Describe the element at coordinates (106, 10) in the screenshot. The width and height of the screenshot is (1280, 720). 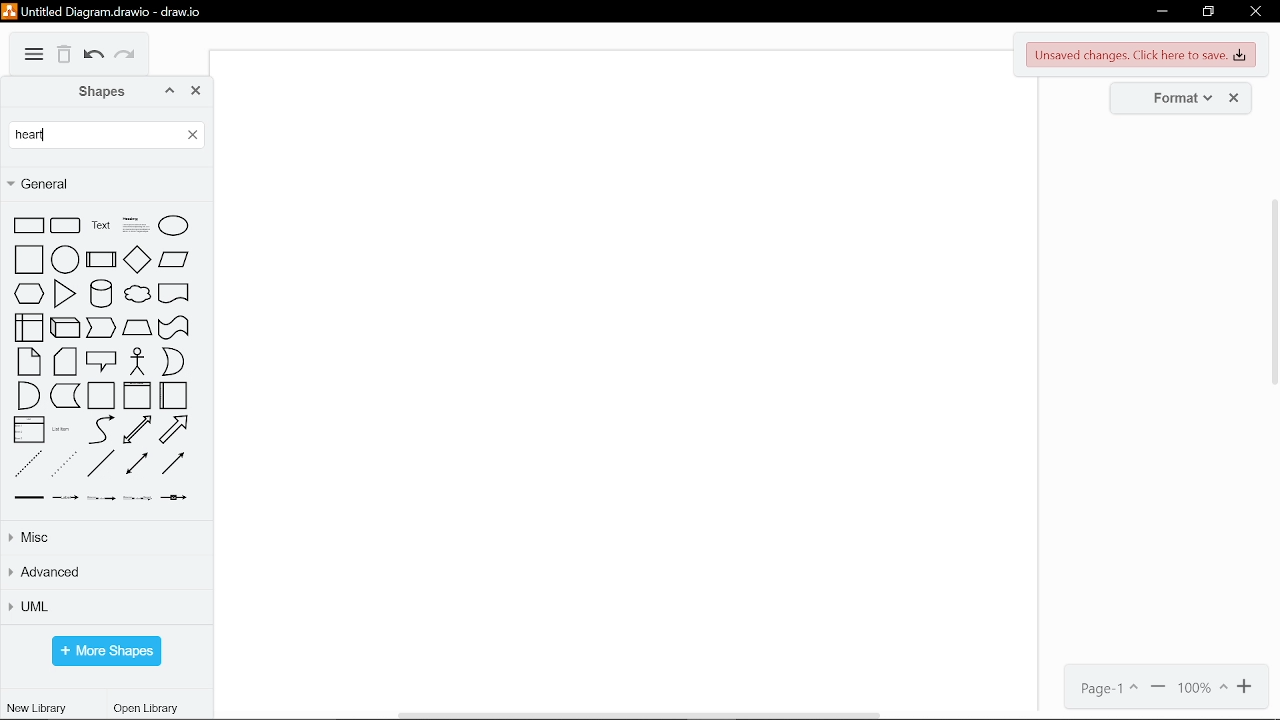
I see `Untitled Diagram.drawio - draw.io` at that location.